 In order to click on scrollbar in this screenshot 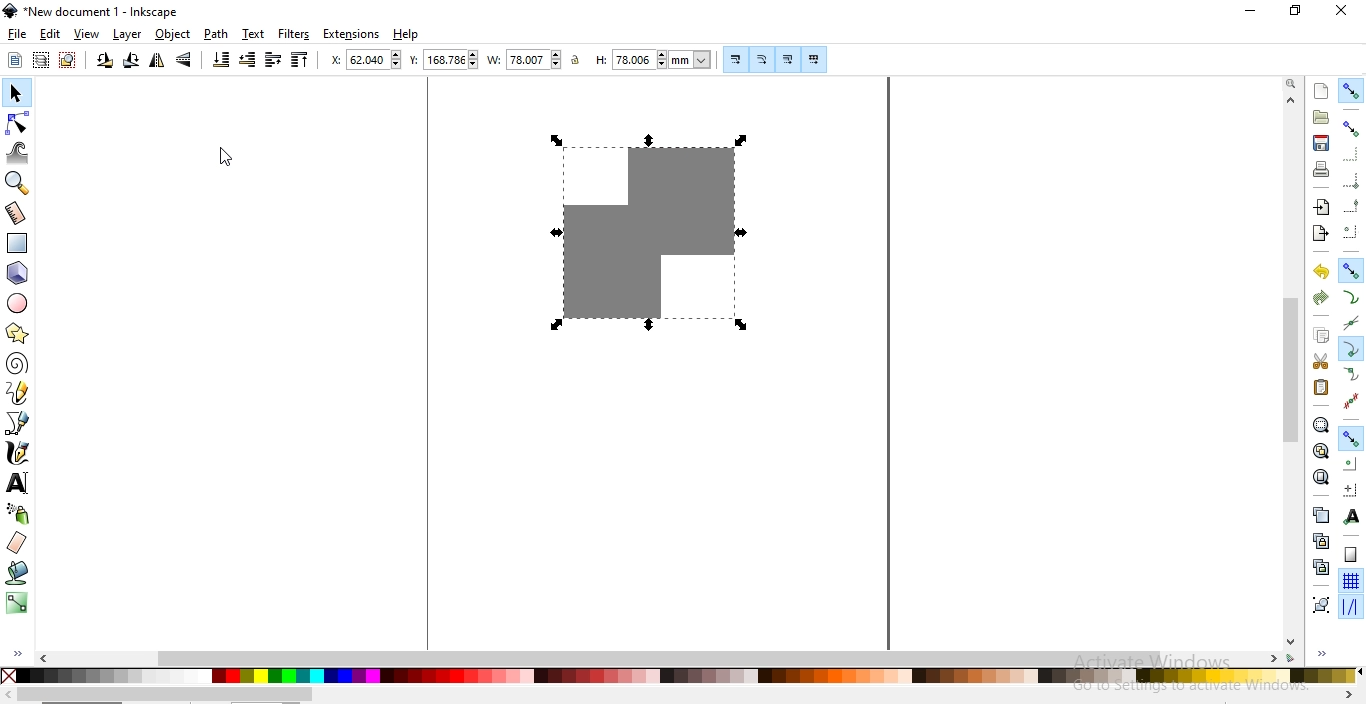, I will do `click(165, 695)`.